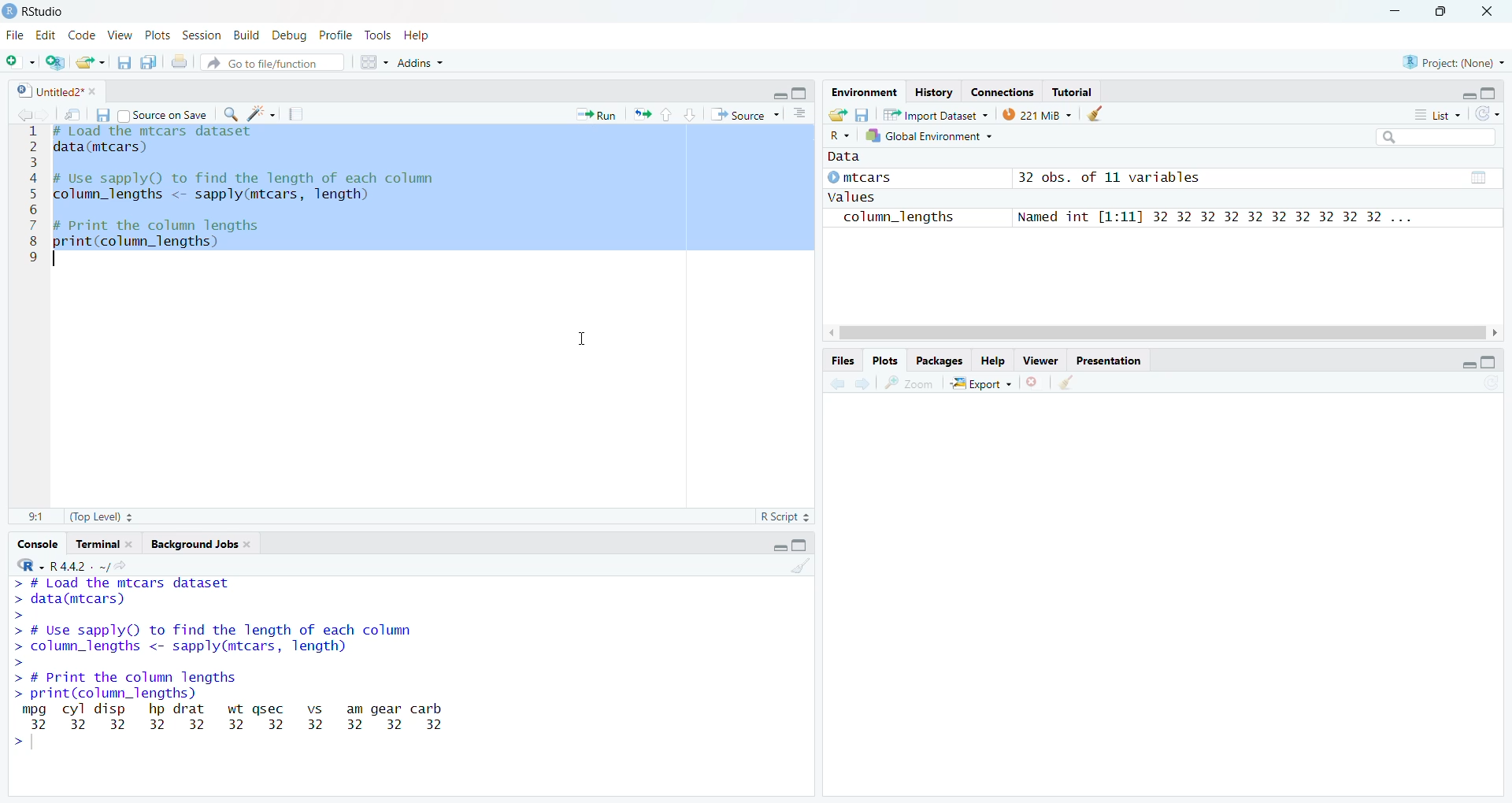 This screenshot has height=803, width=1512. What do you see at coordinates (1489, 92) in the screenshot?
I see `Full Height` at bounding box center [1489, 92].